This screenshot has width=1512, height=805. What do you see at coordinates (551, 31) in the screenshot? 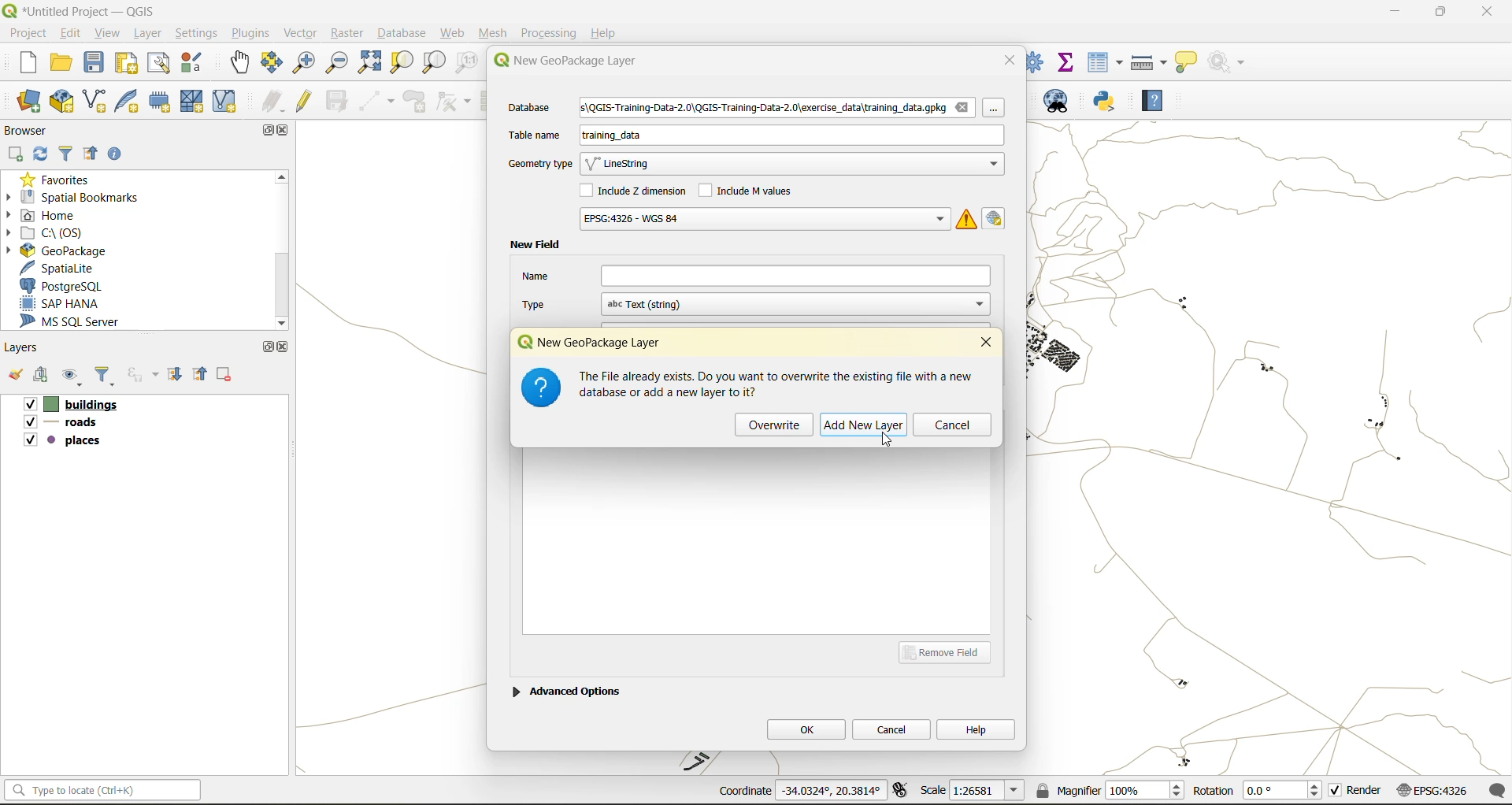
I see `Processing` at bounding box center [551, 31].